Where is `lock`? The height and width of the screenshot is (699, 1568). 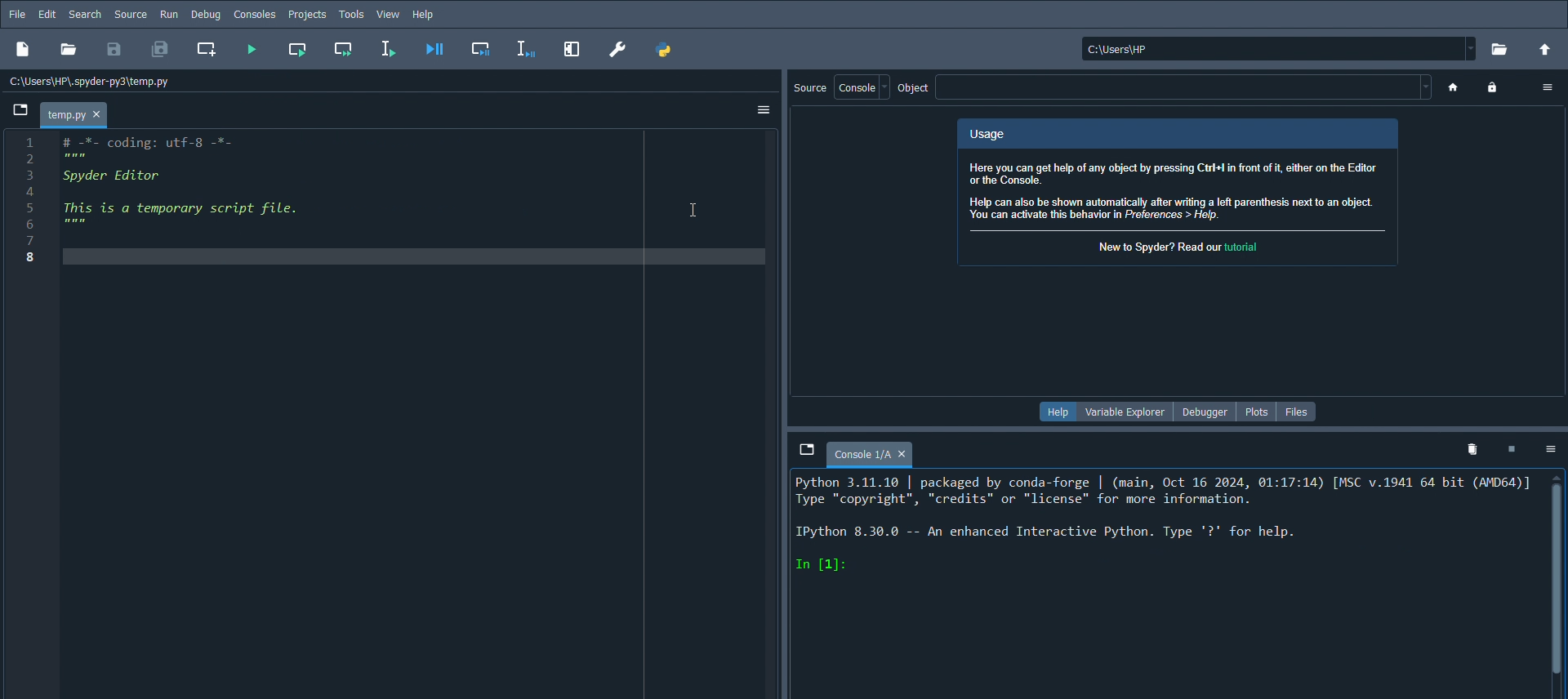 lock is located at coordinates (1495, 88).